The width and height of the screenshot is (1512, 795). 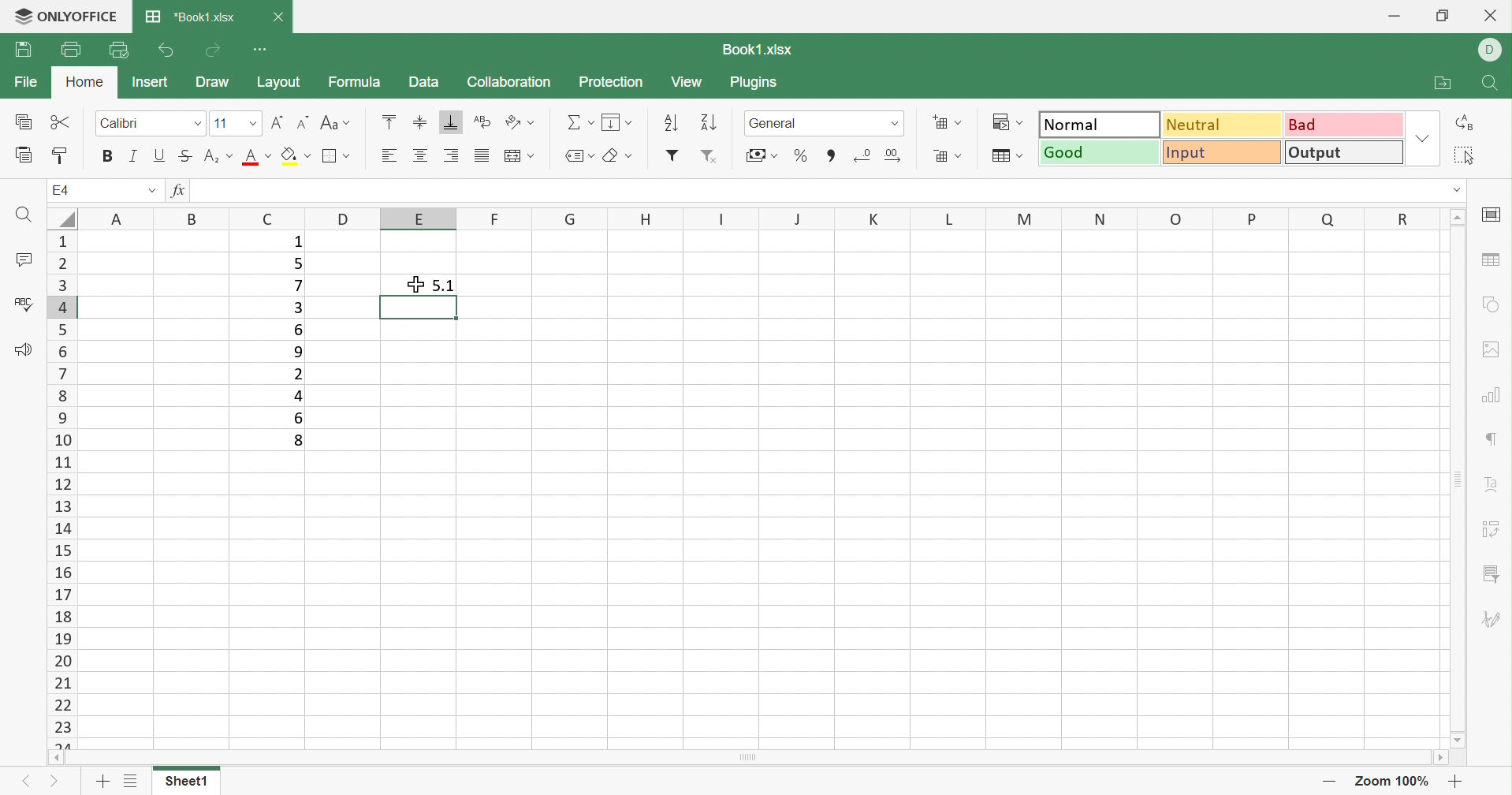 What do you see at coordinates (1100, 153) in the screenshot?
I see `Good` at bounding box center [1100, 153].